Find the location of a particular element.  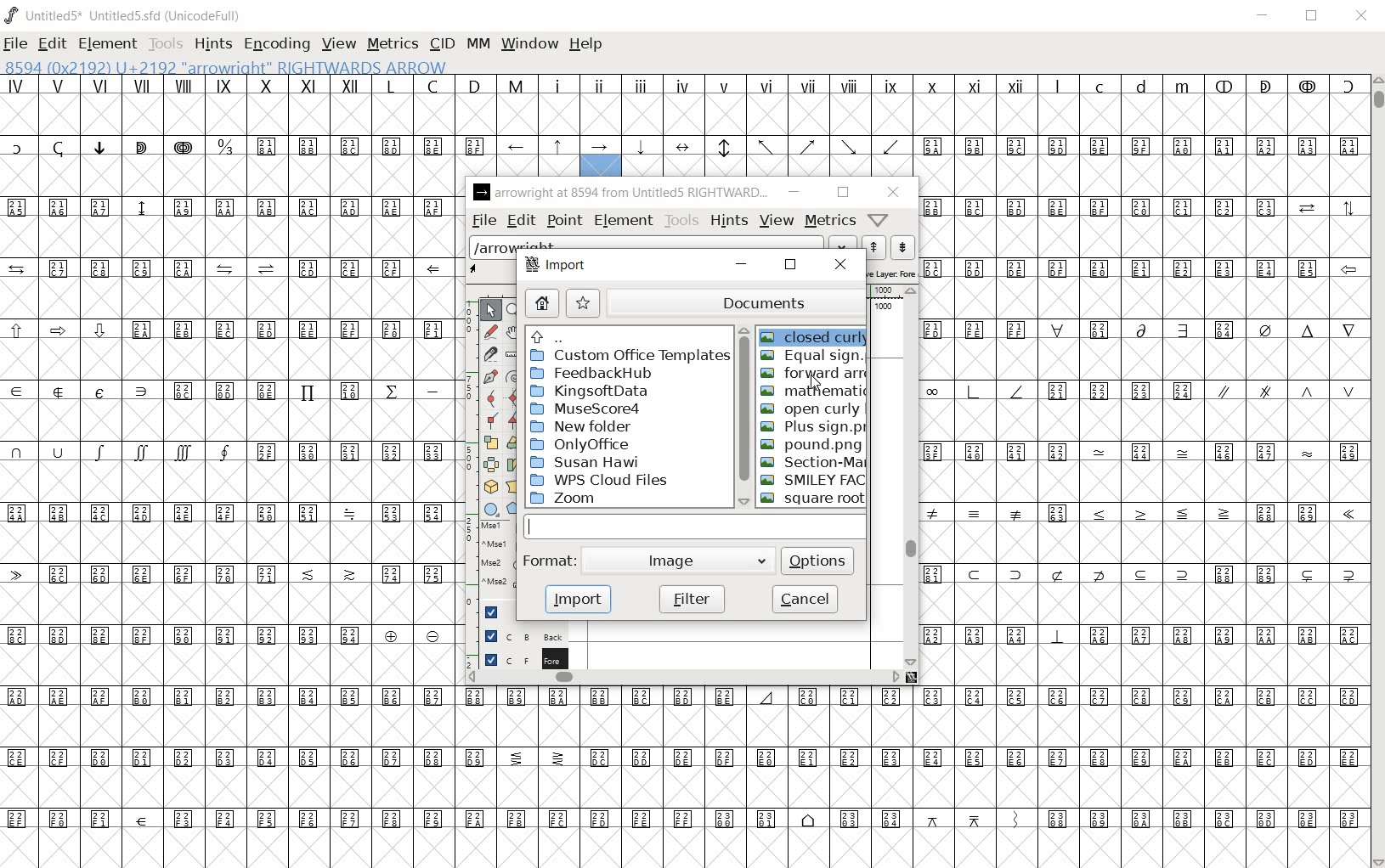

RESTORE DOWN is located at coordinates (1312, 16).